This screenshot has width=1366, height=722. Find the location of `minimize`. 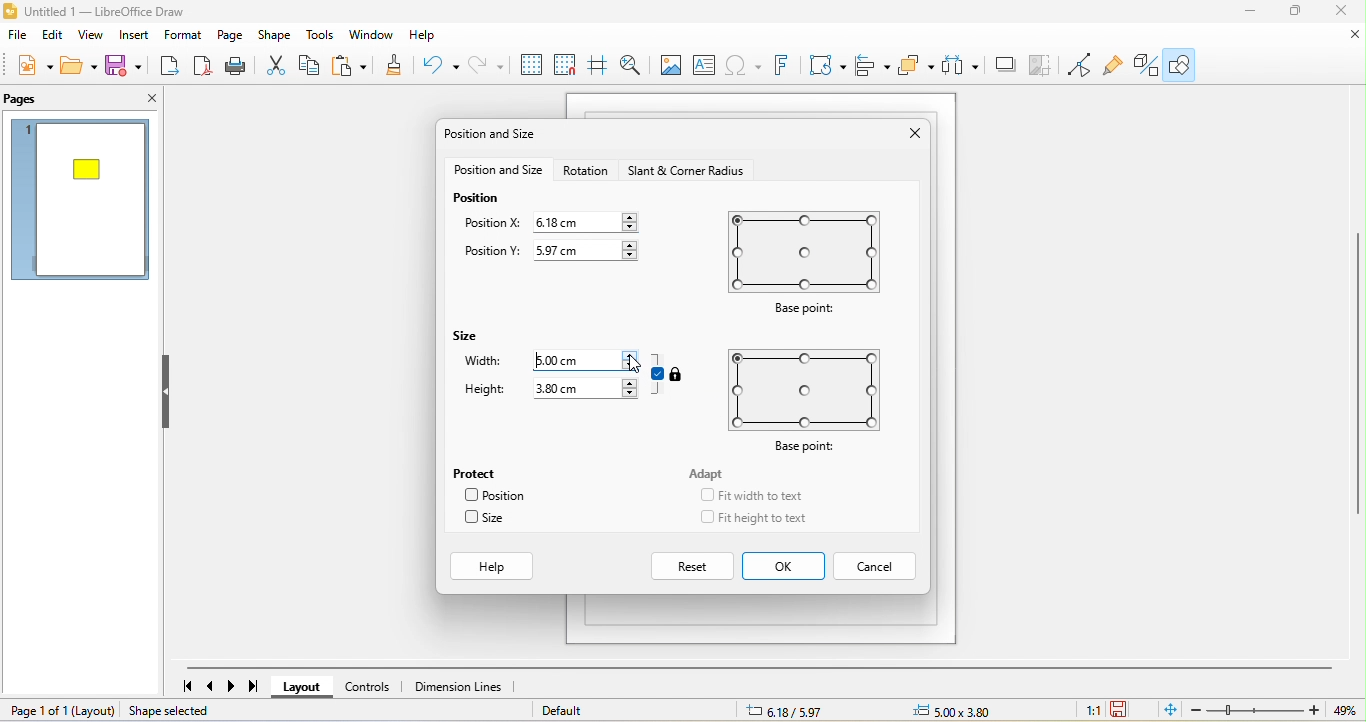

minimize is located at coordinates (1244, 12).